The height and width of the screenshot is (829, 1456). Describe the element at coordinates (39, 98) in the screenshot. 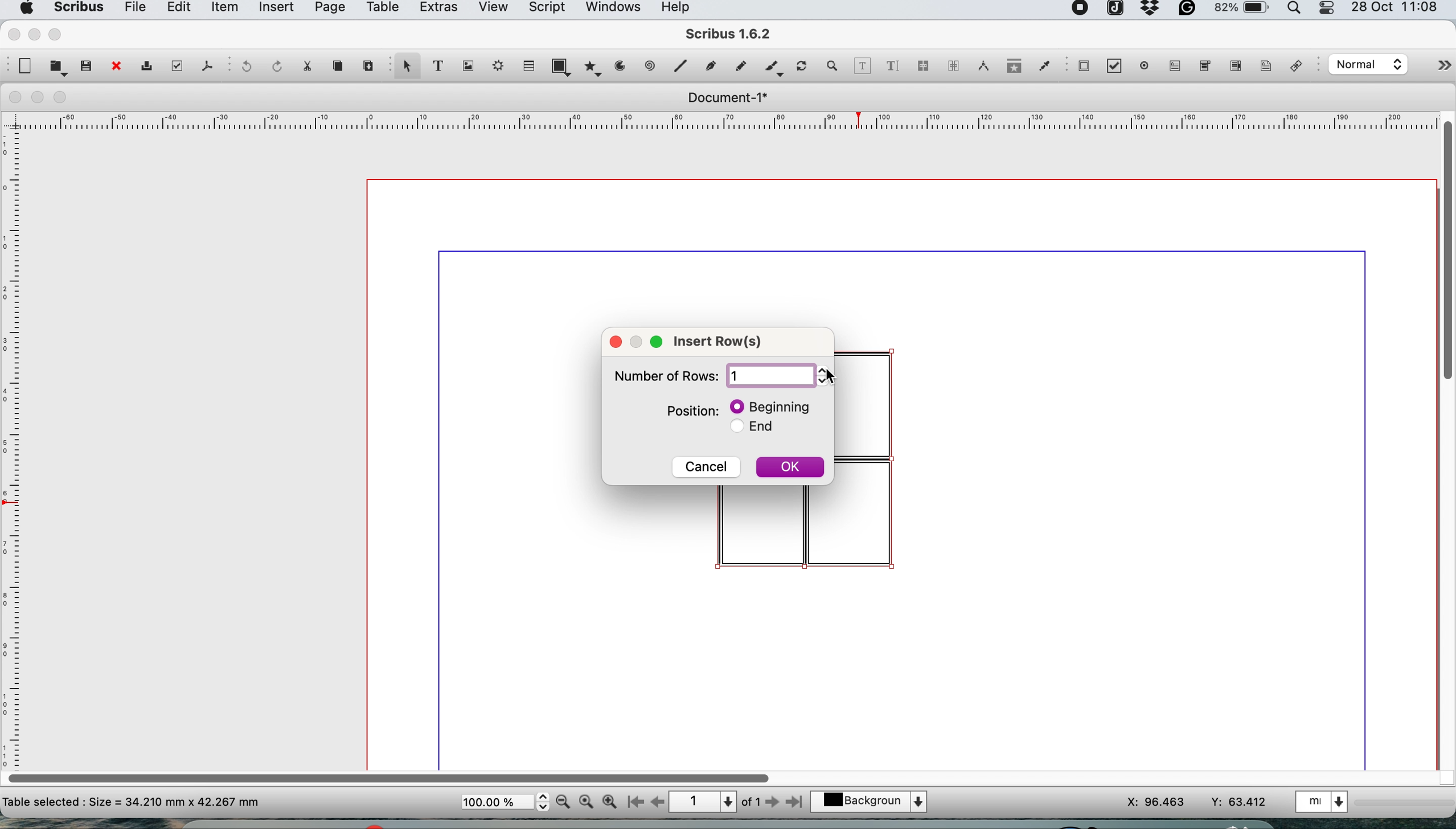

I see `minimise` at that location.